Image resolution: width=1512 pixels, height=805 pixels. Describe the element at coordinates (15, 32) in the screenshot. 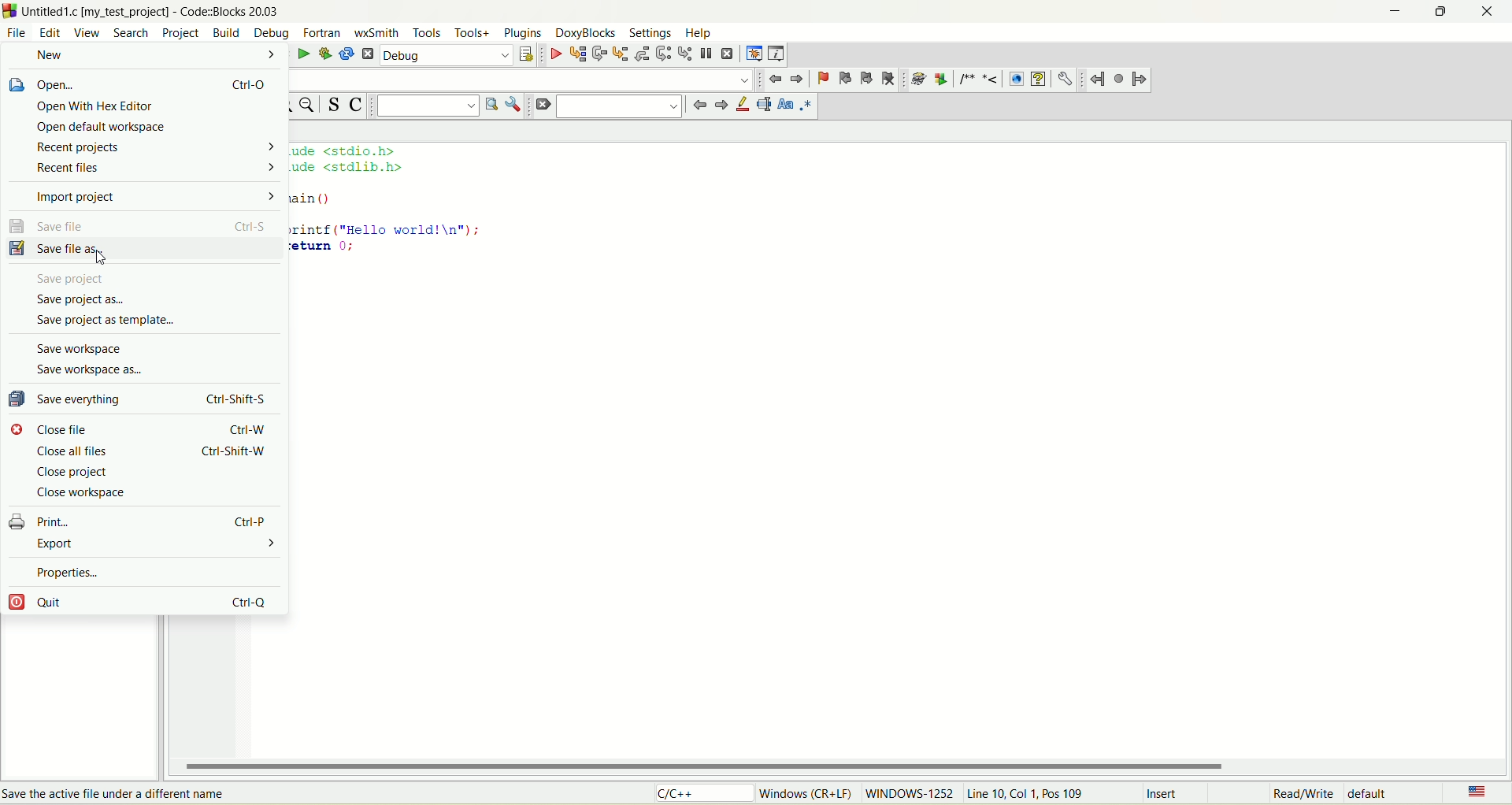

I see `file` at that location.